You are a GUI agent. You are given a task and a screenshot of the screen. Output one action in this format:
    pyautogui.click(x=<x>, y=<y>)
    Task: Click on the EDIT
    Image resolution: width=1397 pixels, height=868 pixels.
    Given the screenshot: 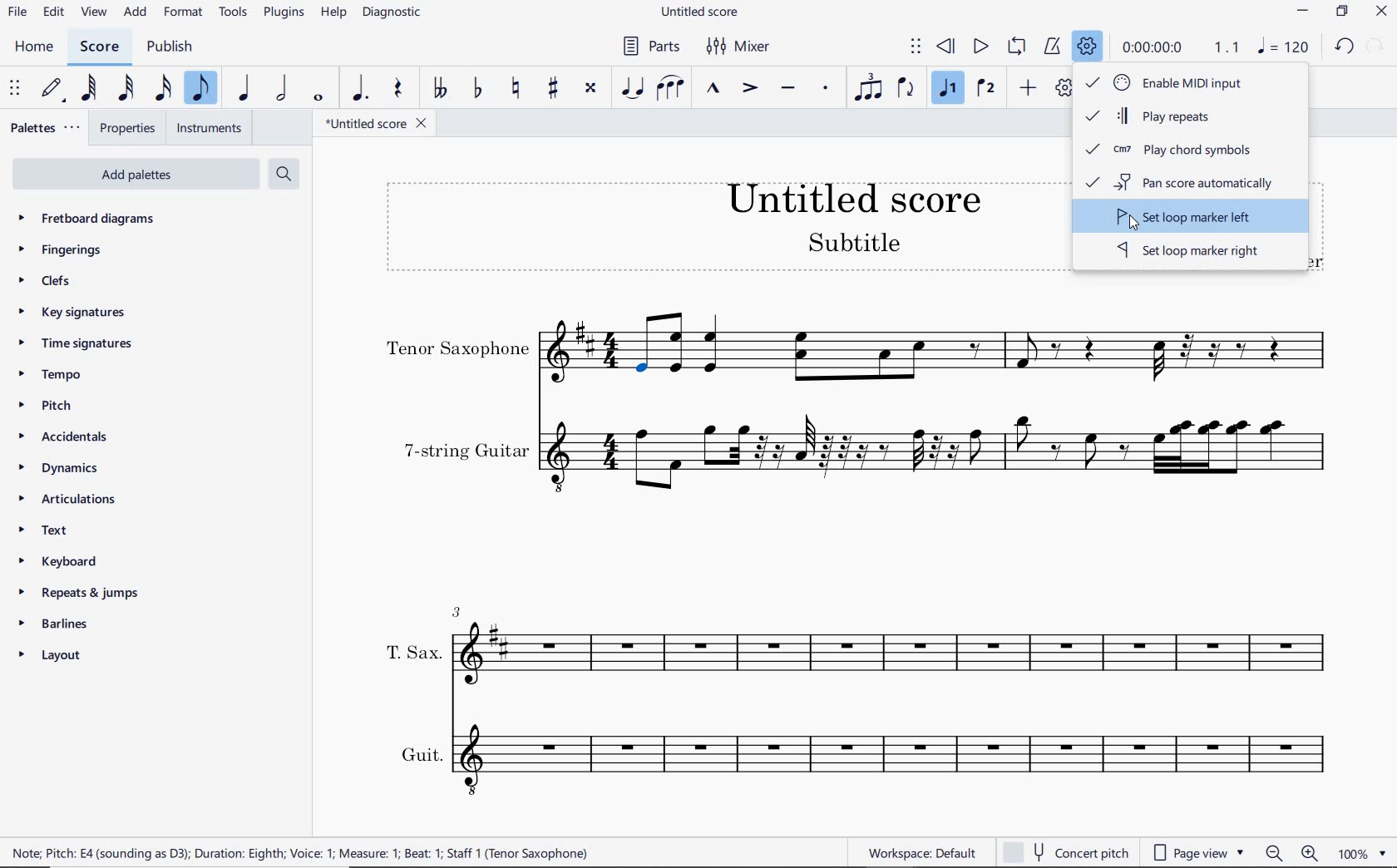 What is the action you would take?
    pyautogui.click(x=53, y=13)
    